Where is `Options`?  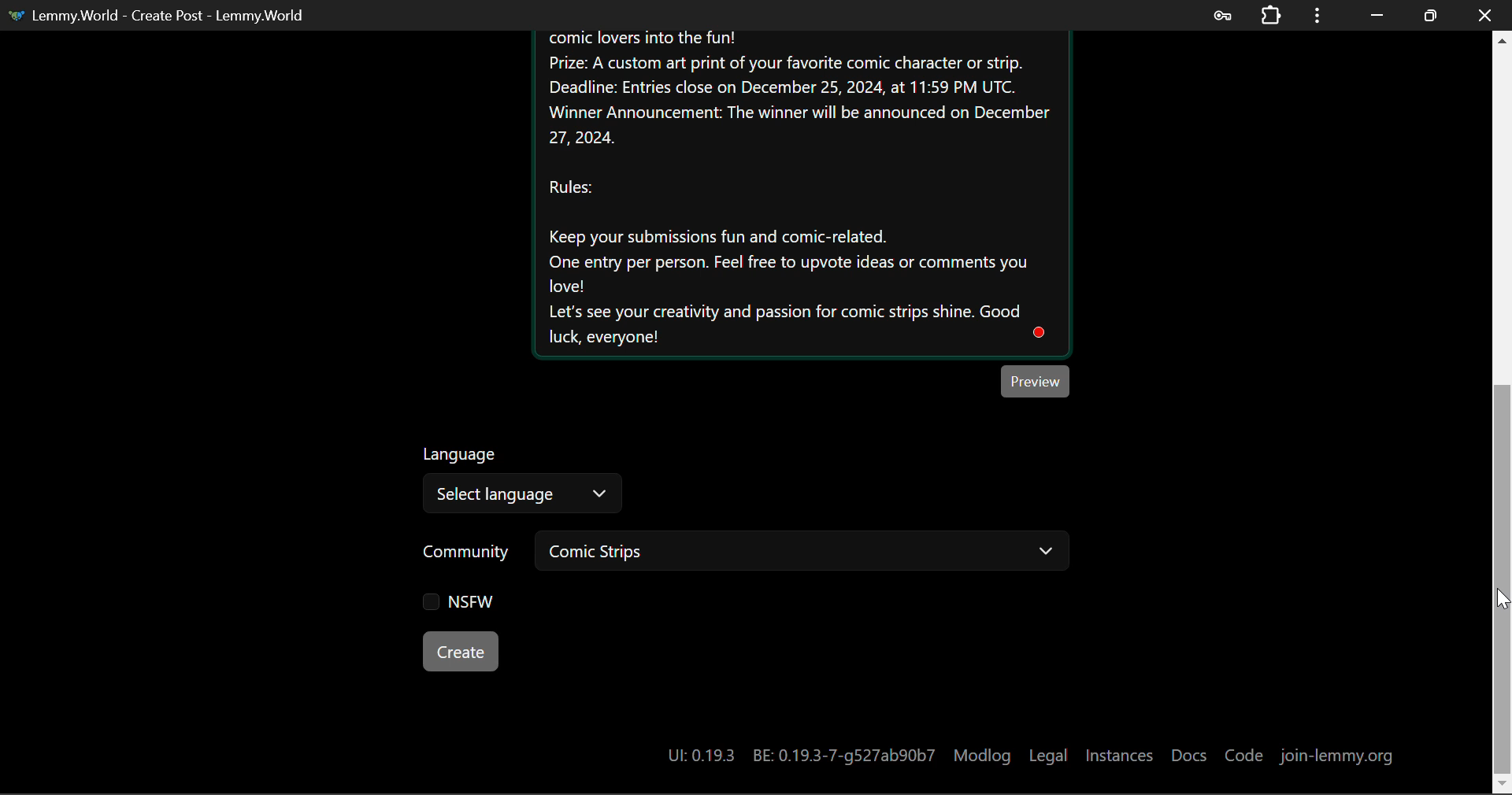 Options is located at coordinates (1315, 15).